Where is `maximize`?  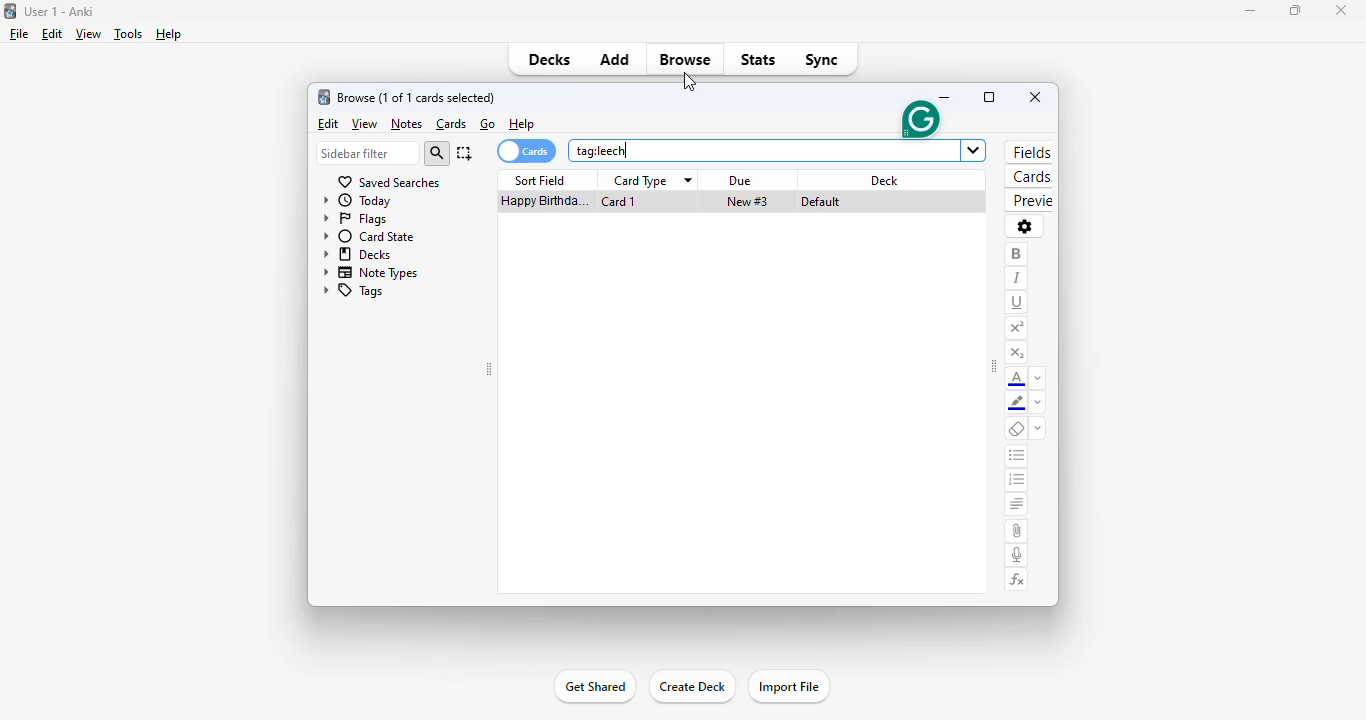 maximize is located at coordinates (1296, 10).